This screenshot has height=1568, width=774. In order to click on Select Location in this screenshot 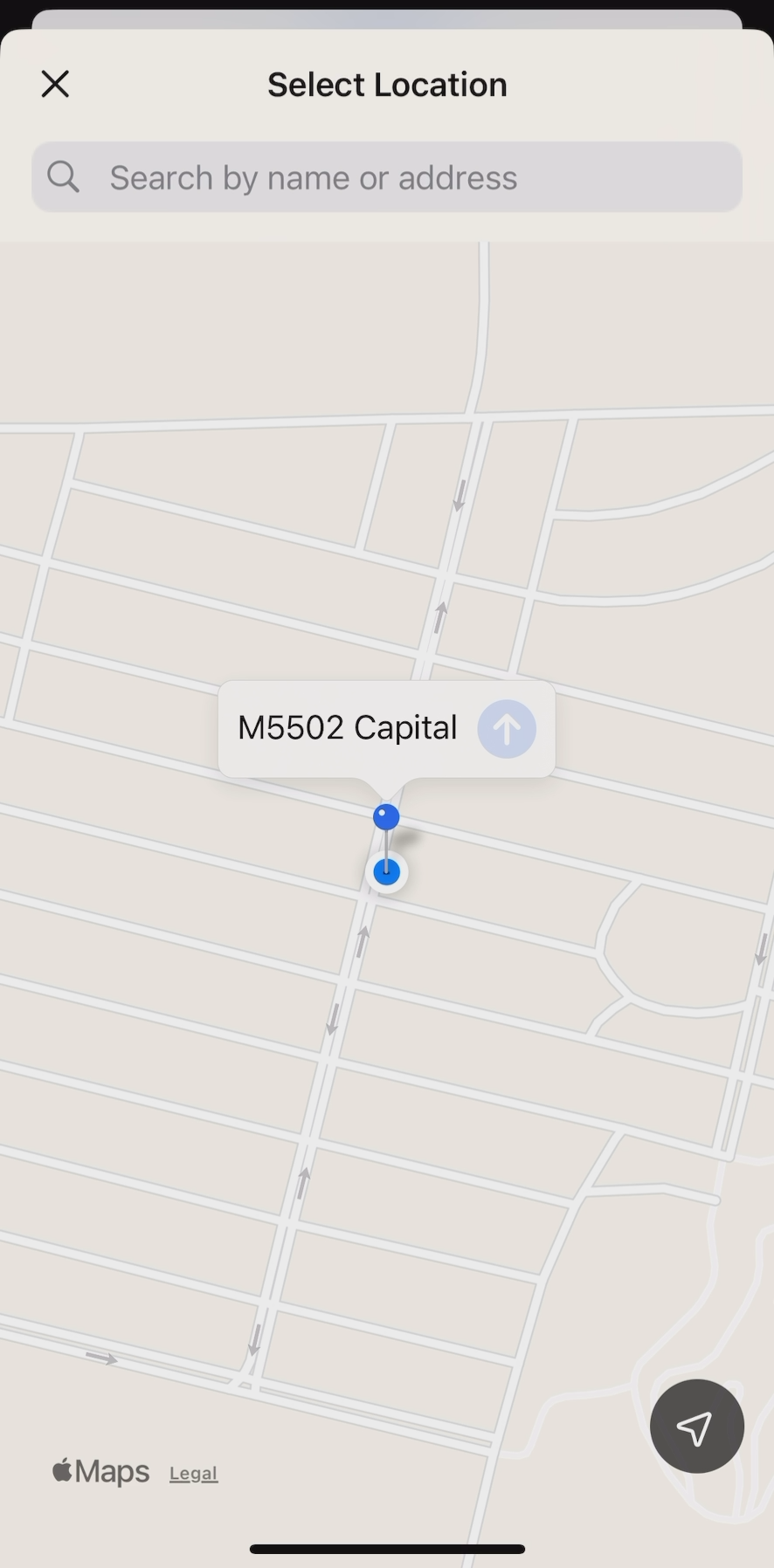, I will do `click(387, 85)`.